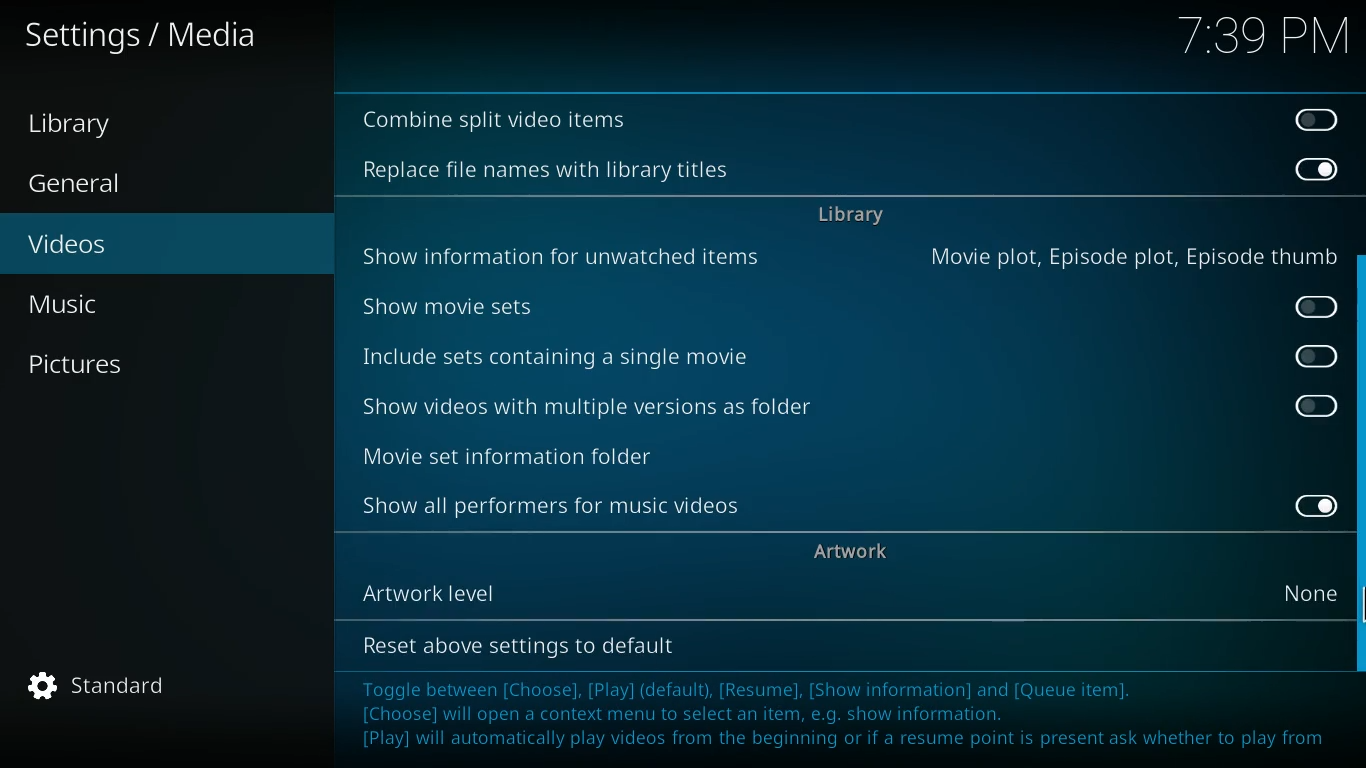  What do you see at coordinates (109, 686) in the screenshot?
I see `standard` at bounding box center [109, 686].